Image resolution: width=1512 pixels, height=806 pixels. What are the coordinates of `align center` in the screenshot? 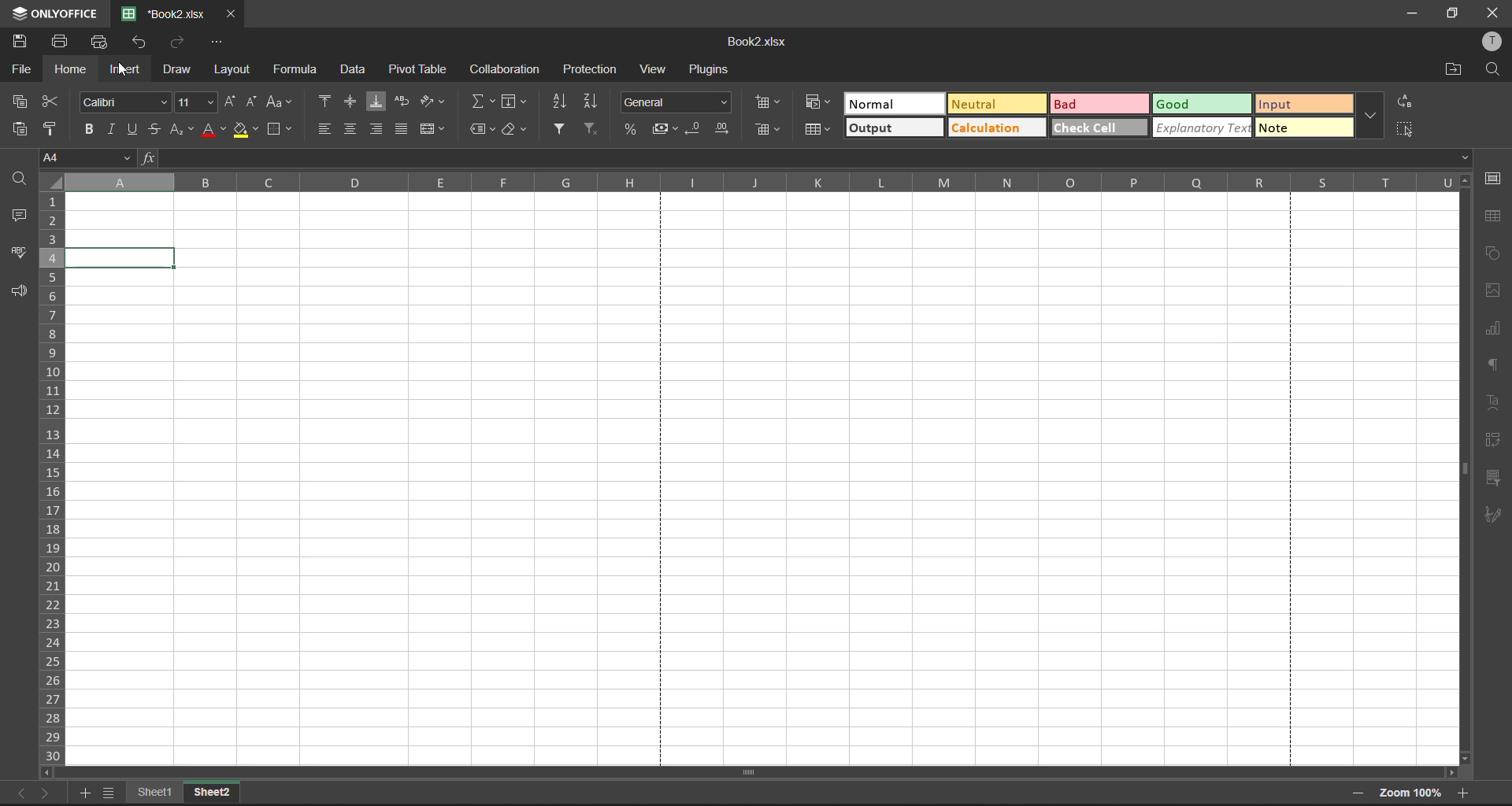 It's located at (350, 128).